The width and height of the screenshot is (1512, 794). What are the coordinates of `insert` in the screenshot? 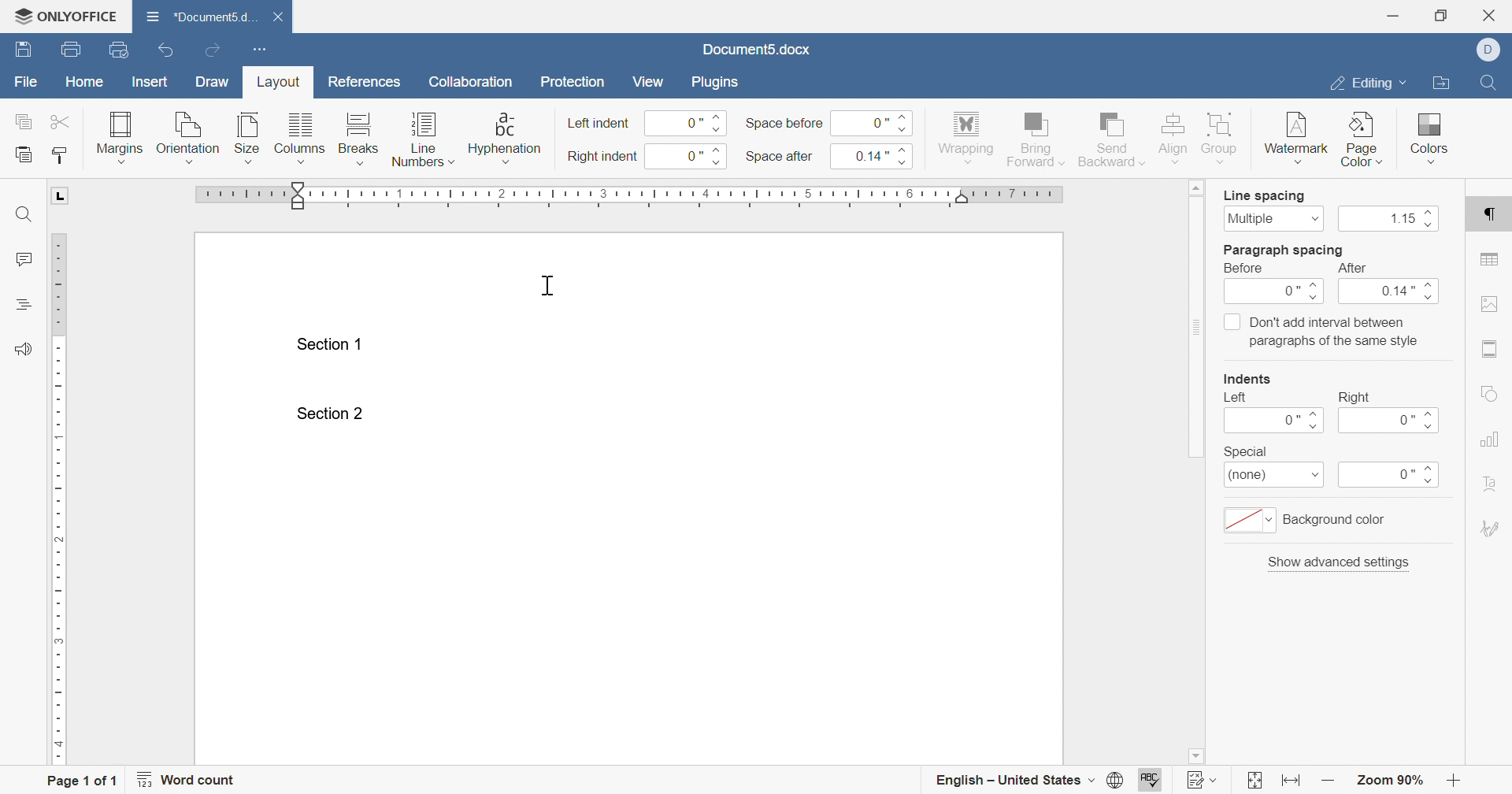 It's located at (151, 83).